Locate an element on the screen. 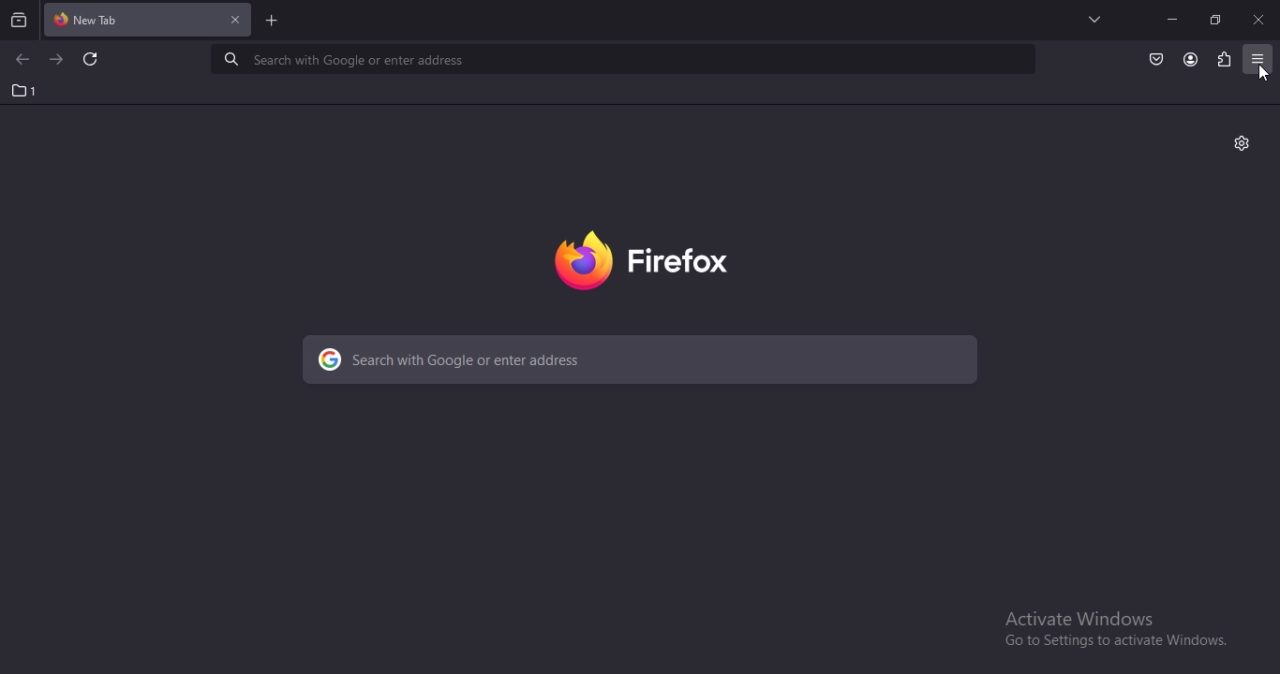 This screenshot has height=674, width=1280. search with google or enter address is located at coordinates (618, 59).